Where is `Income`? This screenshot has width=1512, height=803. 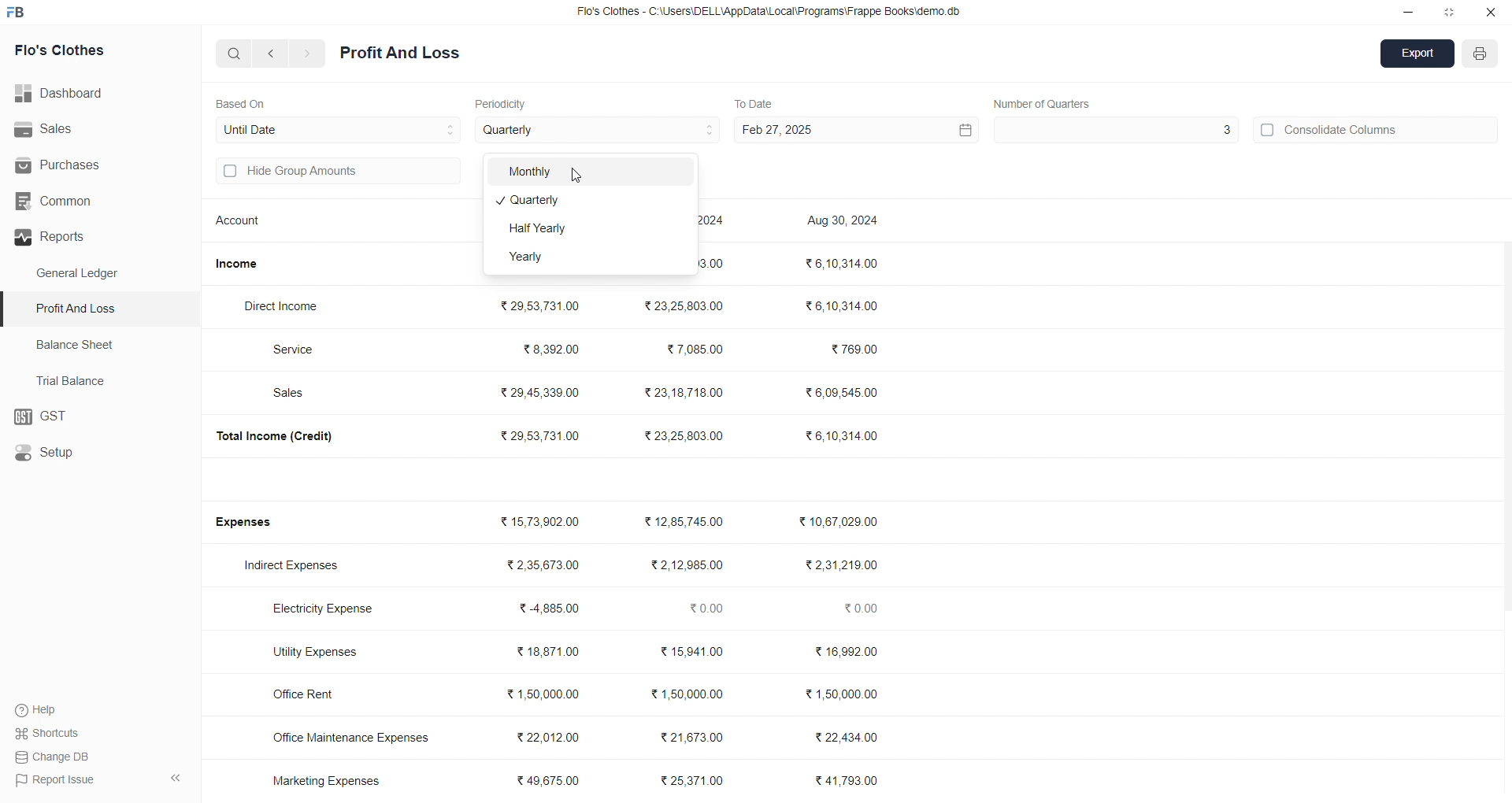
Income is located at coordinates (243, 264).